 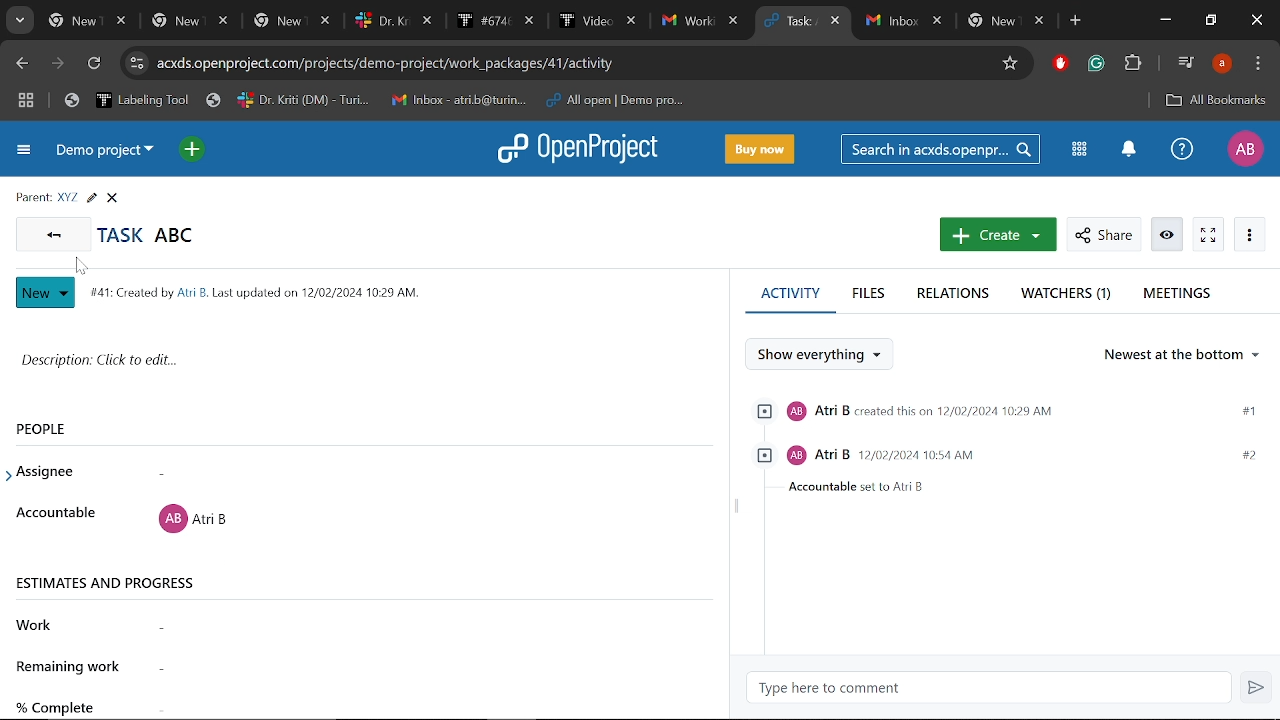 I want to click on Profile, so click(x=1221, y=65).